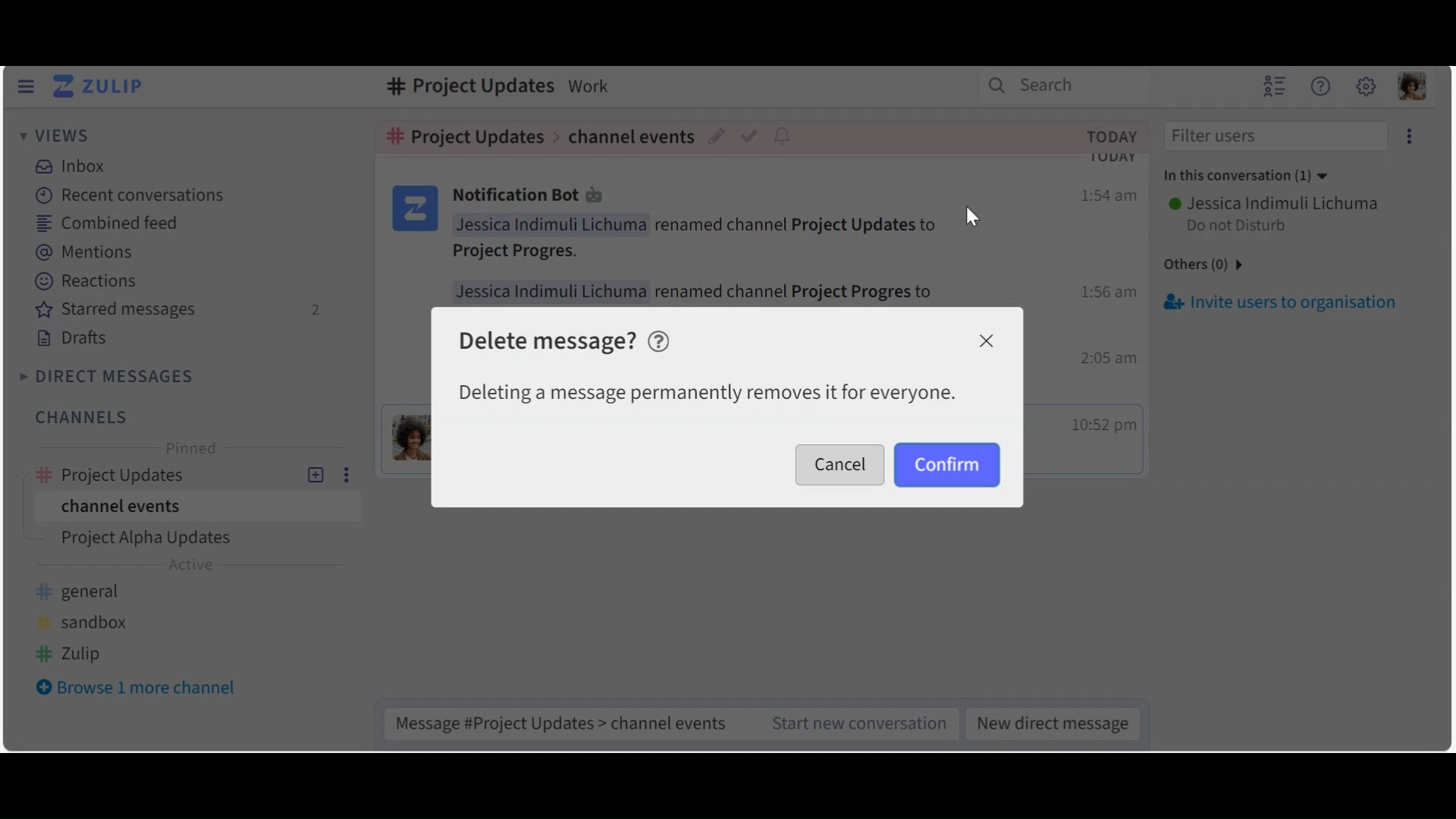 The height and width of the screenshot is (819, 1456). Describe the element at coordinates (1443, 444) in the screenshot. I see `vertical scroll bar` at that location.